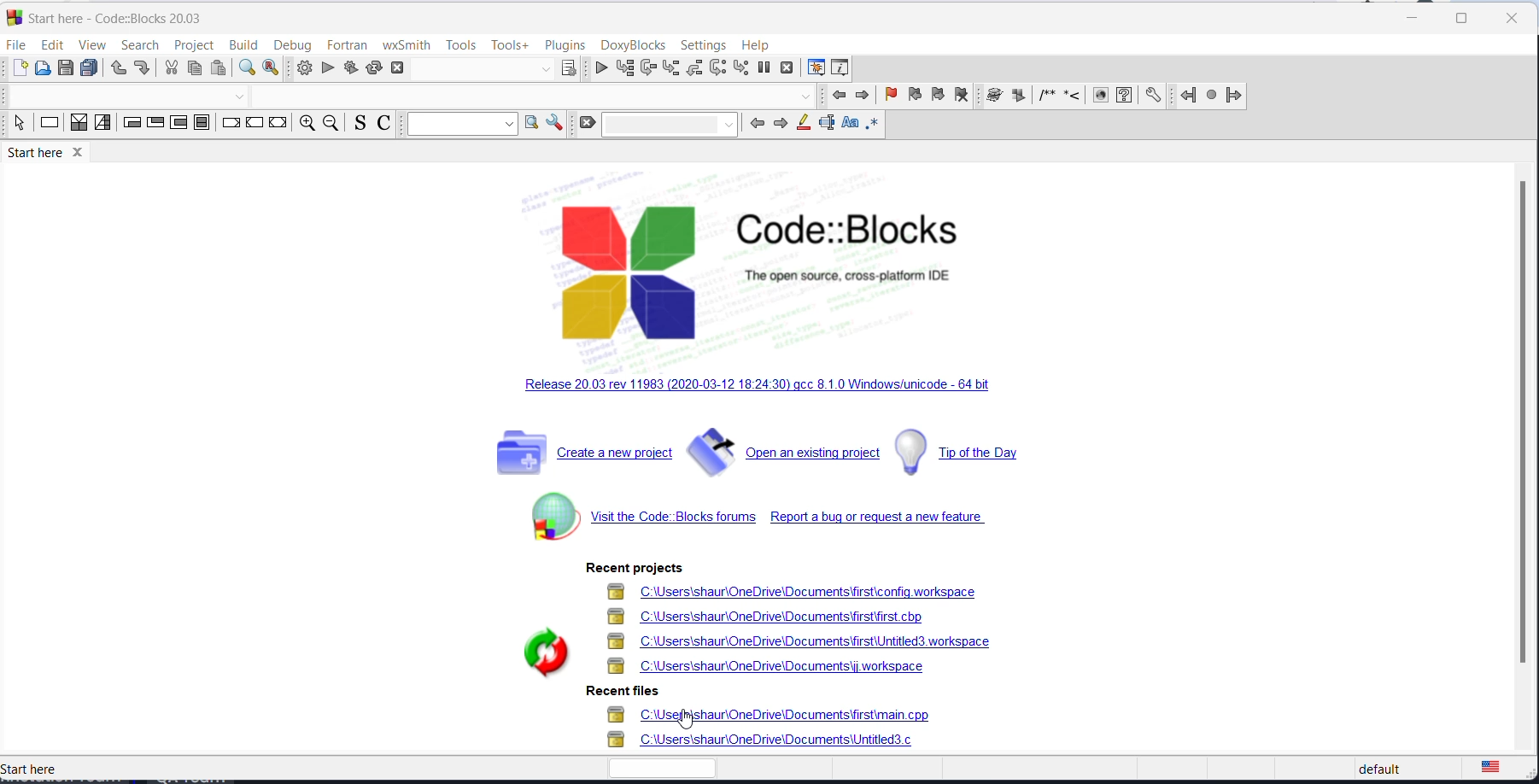 Image resolution: width=1539 pixels, height=784 pixels. I want to click on fortran, so click(348, 44).